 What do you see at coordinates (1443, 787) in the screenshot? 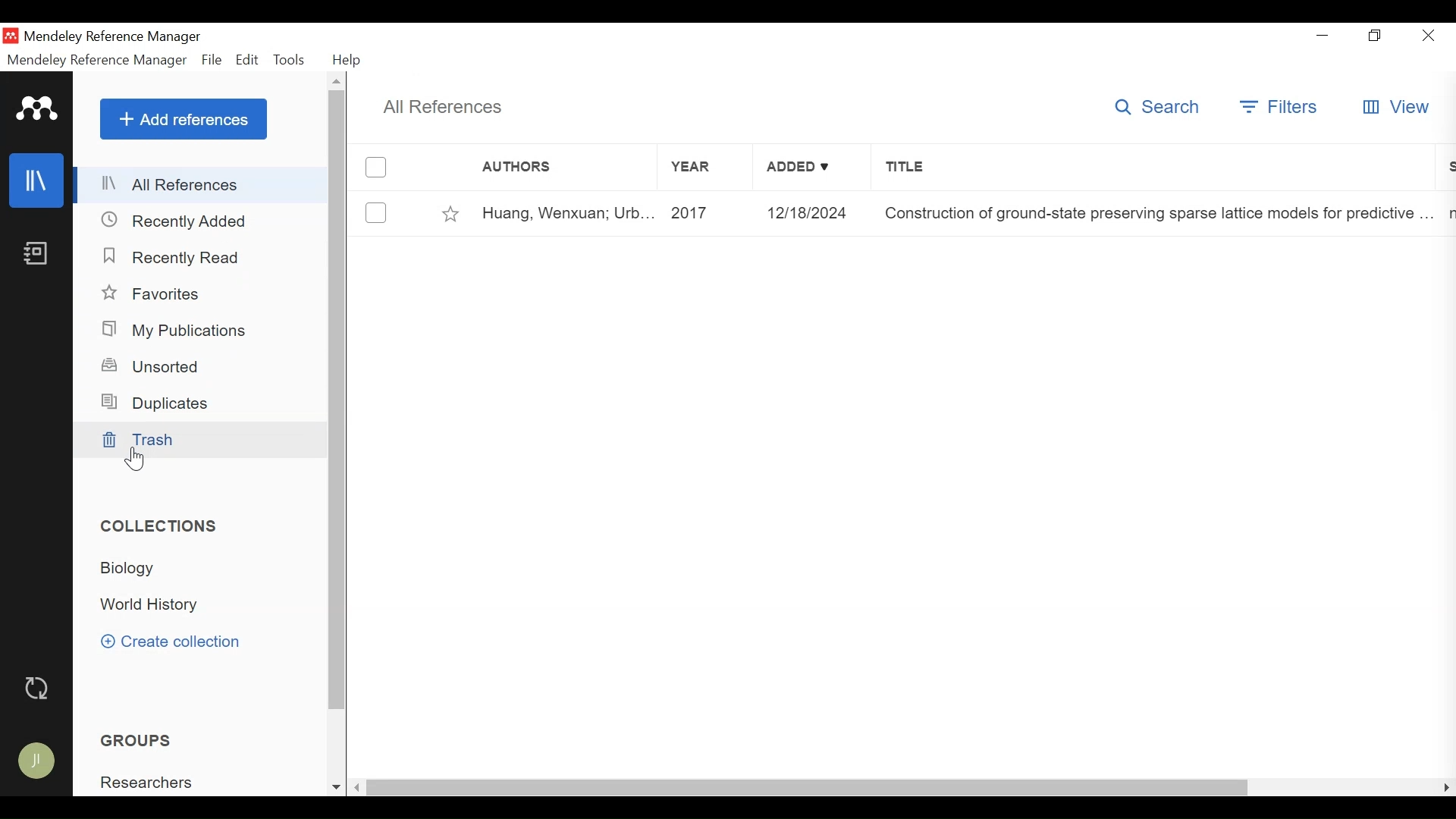
I see `Scroll Right` at bounding box center [1443, 787].